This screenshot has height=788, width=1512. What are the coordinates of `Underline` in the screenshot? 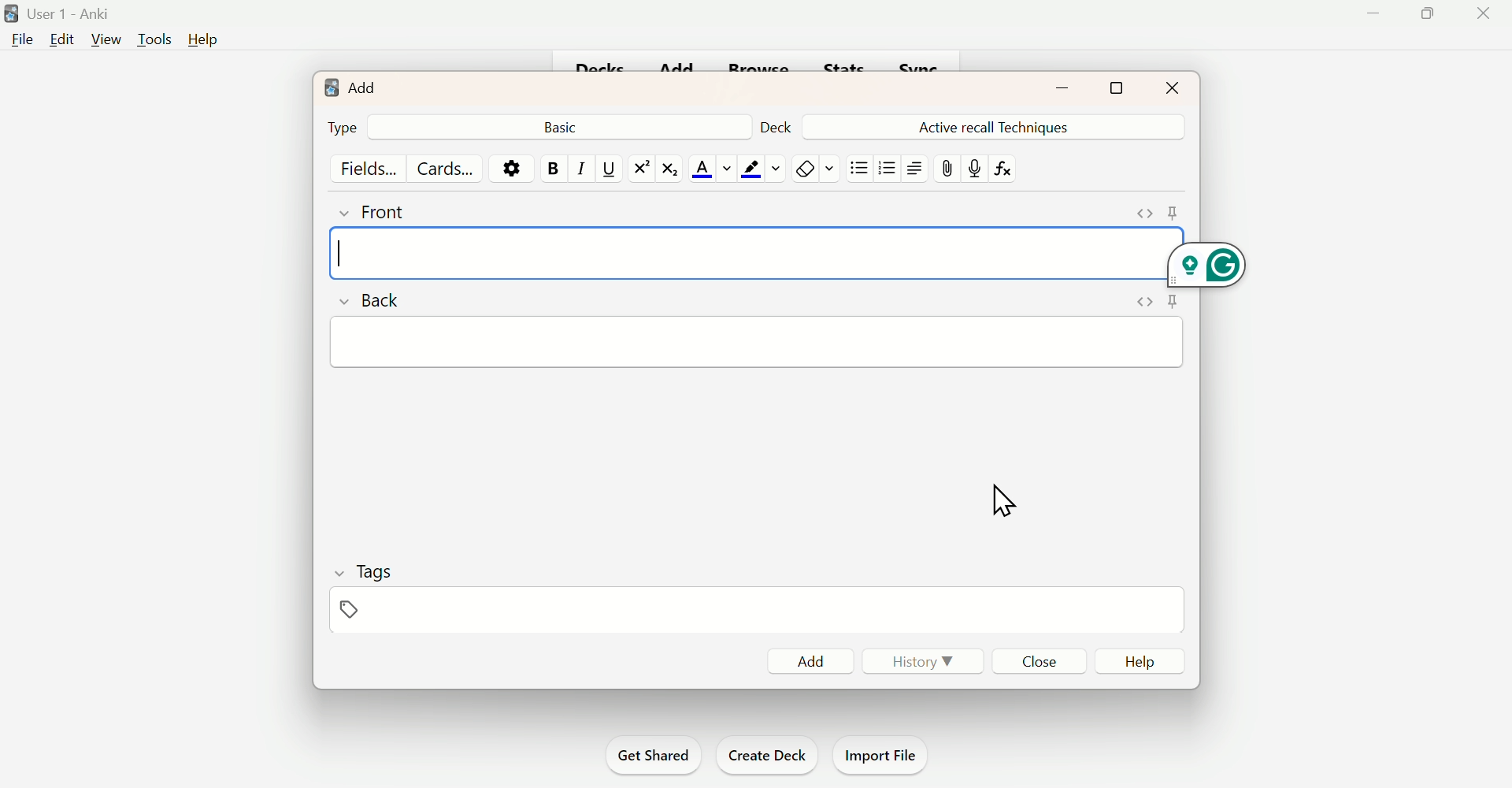 It's located at (609, 170).